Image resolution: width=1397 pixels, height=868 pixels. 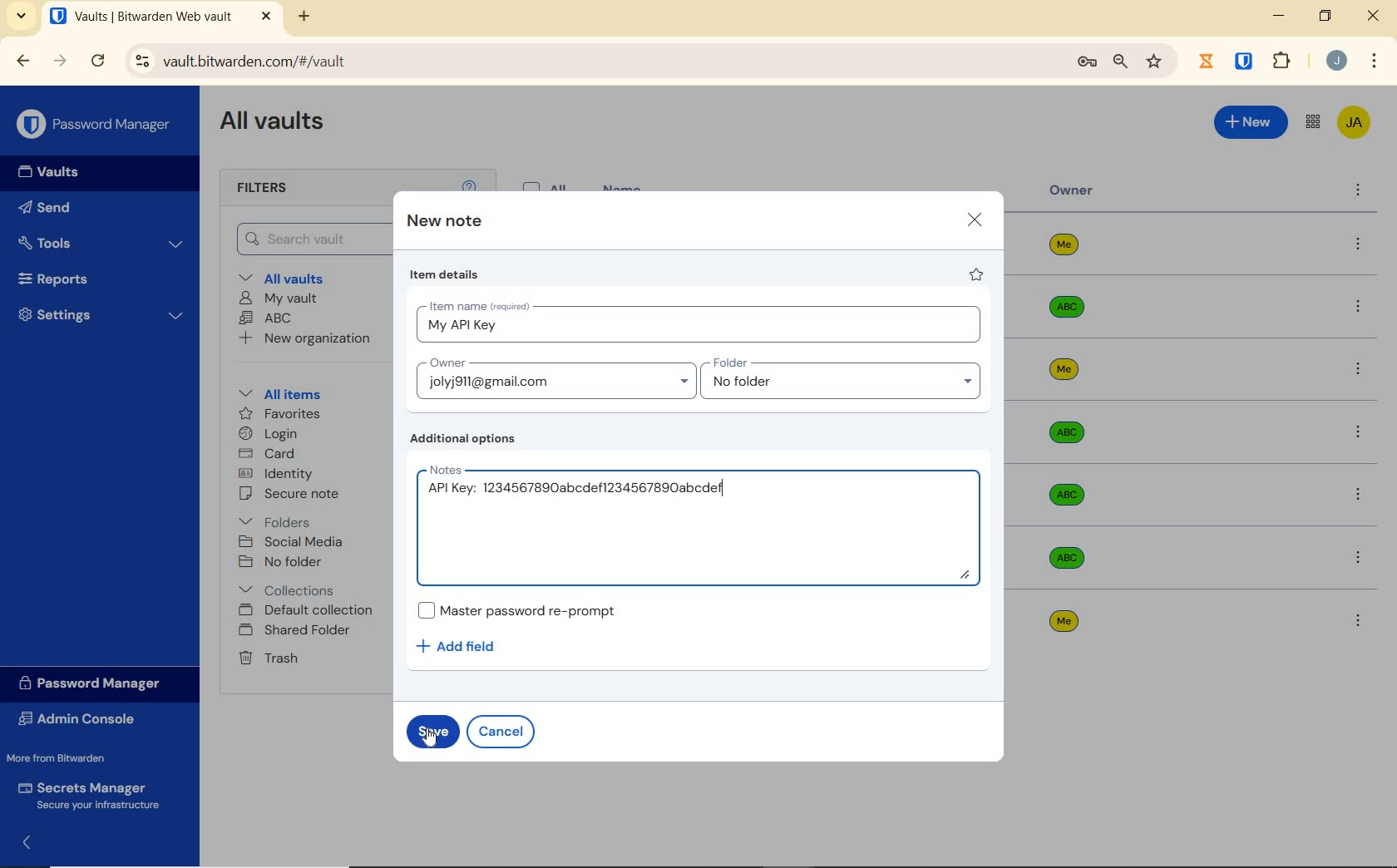 I want to click on favorite, so click(x=977, y=277).